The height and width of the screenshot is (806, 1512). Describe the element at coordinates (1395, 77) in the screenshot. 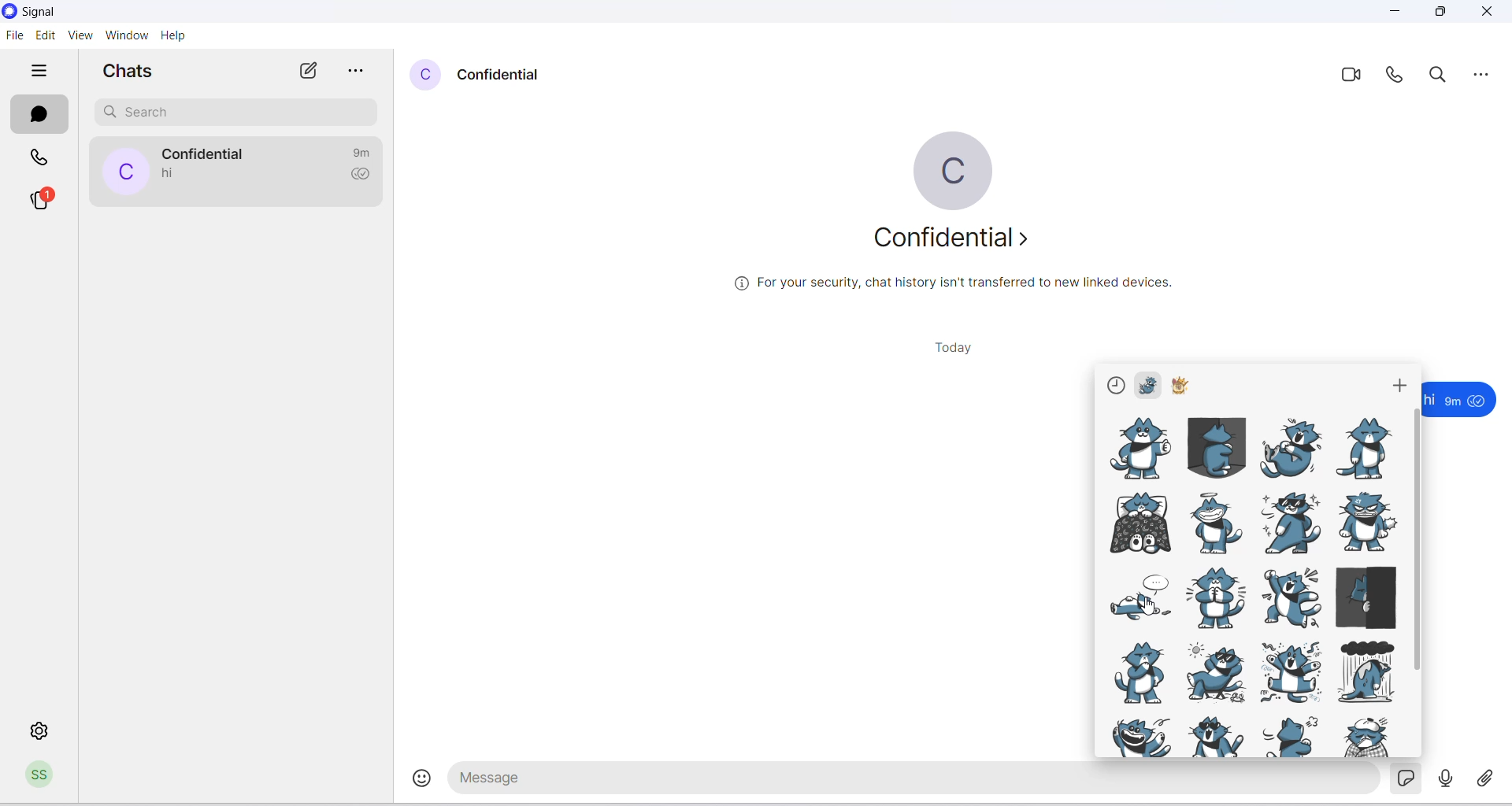

I see `voice call` at that location.